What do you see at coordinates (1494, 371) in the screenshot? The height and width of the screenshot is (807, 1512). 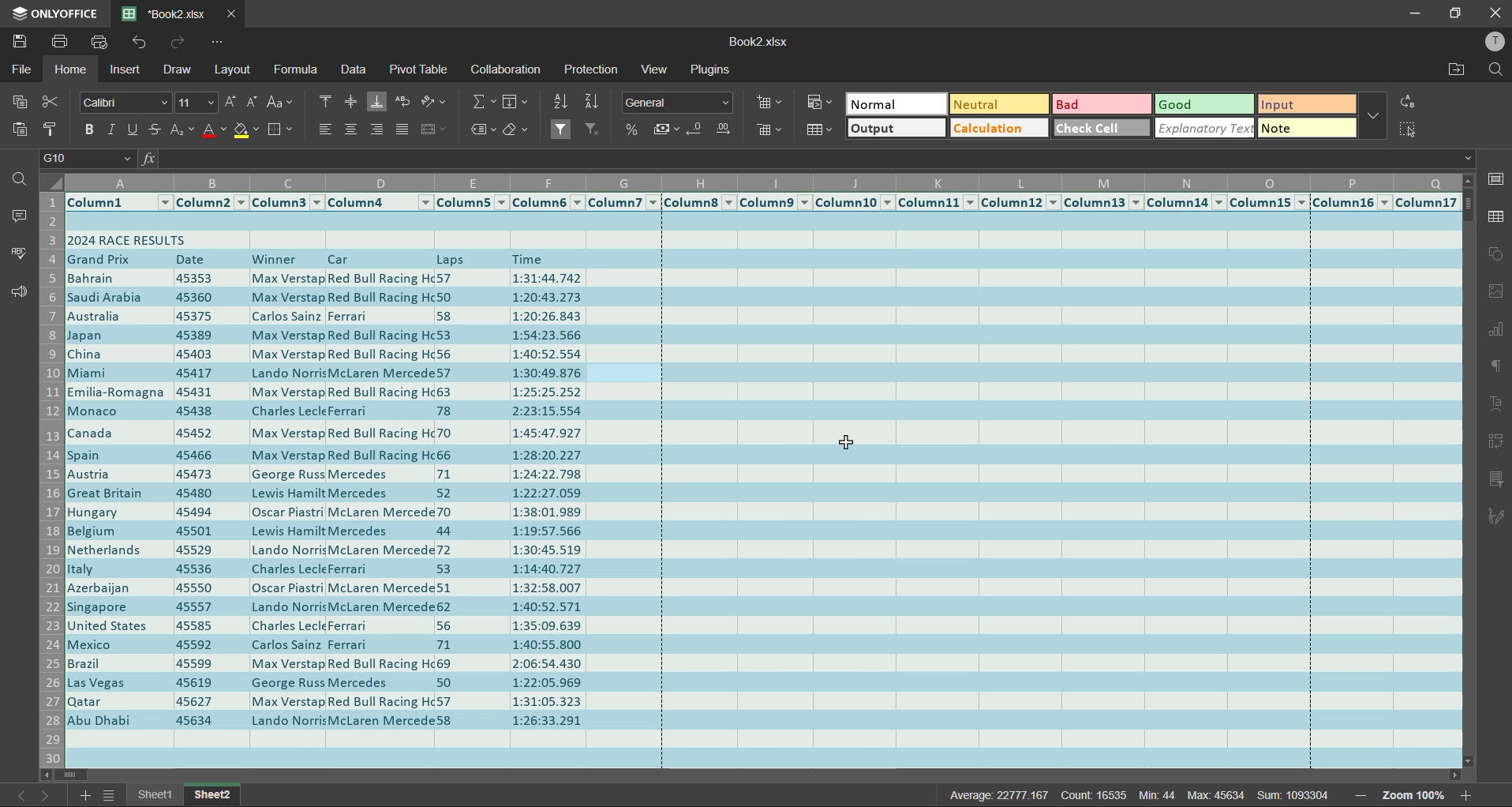 I see `paragraph` at bounding box center [1494, 371].